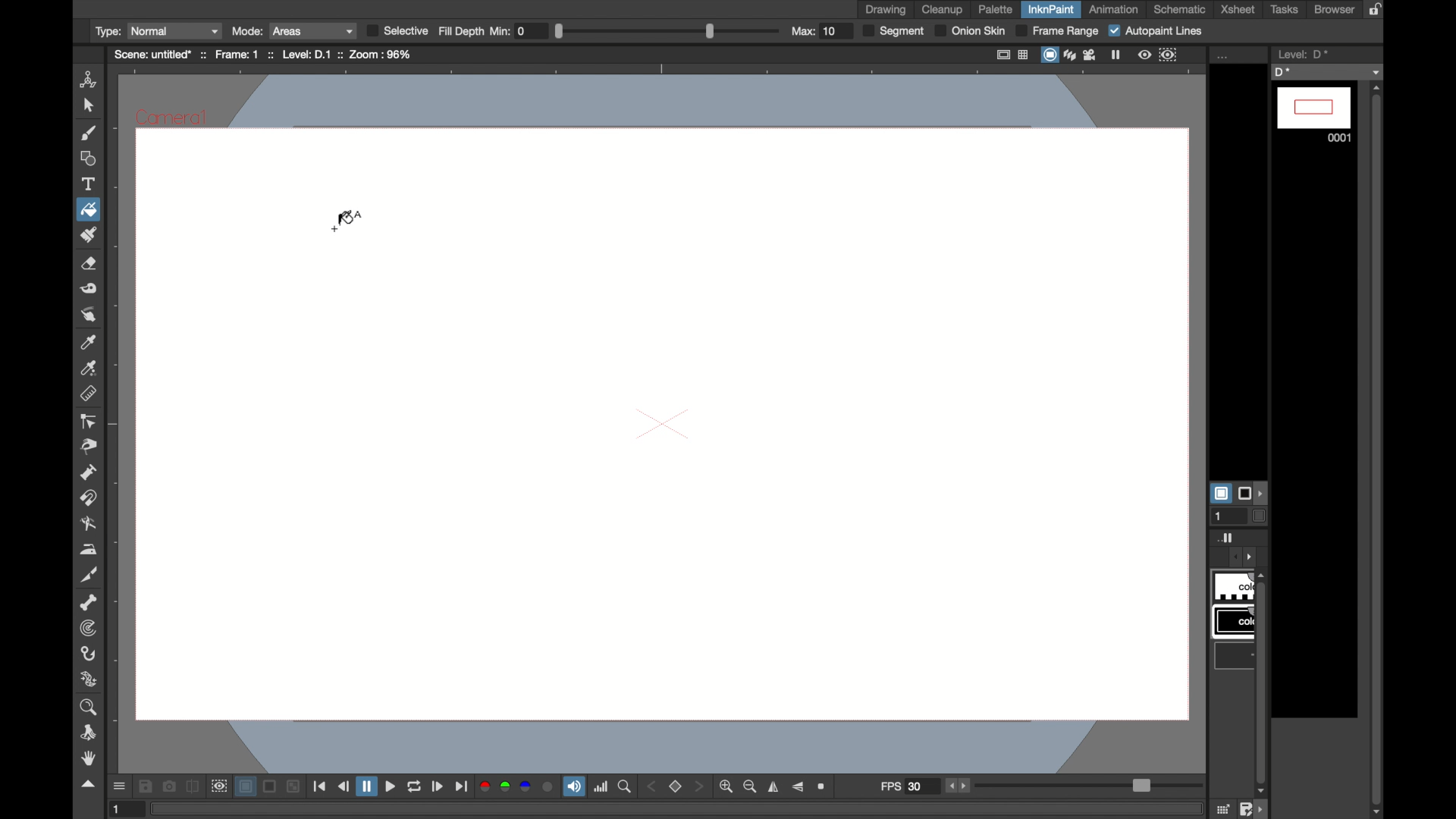  Describe the element at coordinates (996, 10) in the screenshot. I see `palette` at that location.